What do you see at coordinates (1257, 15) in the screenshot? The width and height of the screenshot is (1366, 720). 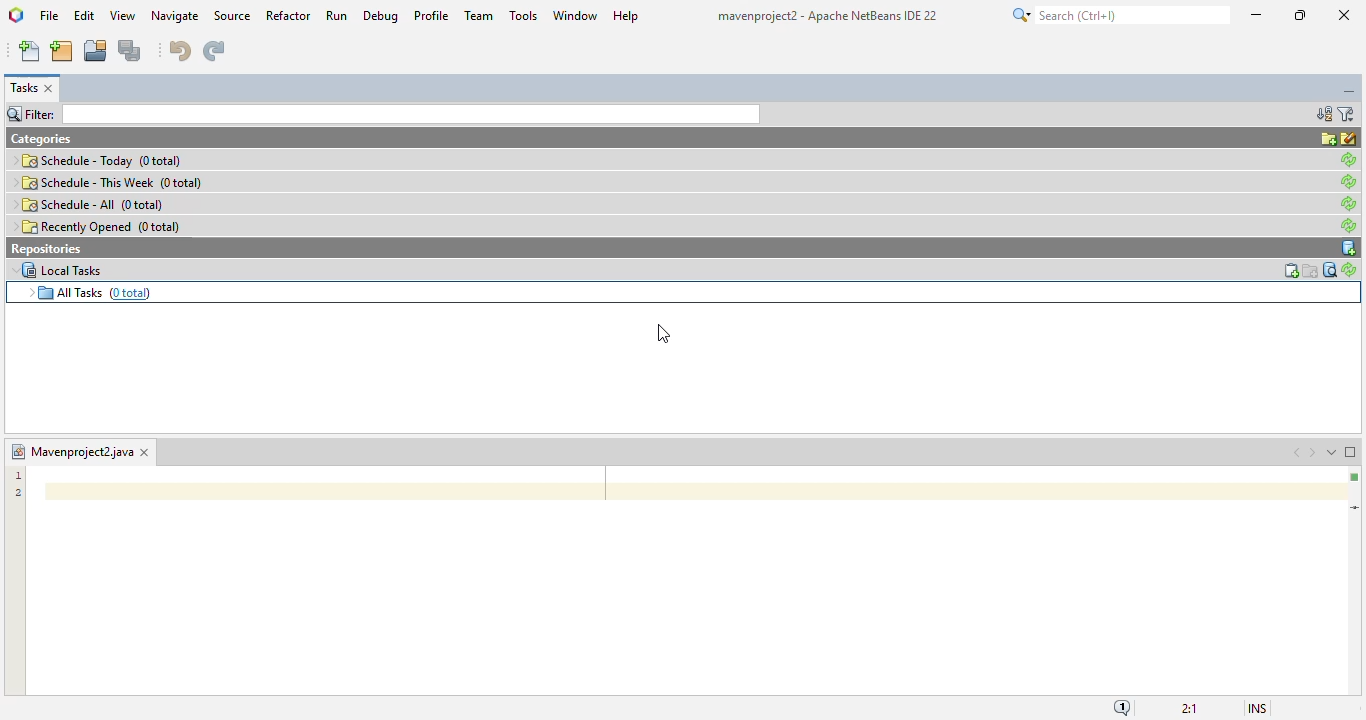 I see `minimize` at bounding box center [1257, 15].